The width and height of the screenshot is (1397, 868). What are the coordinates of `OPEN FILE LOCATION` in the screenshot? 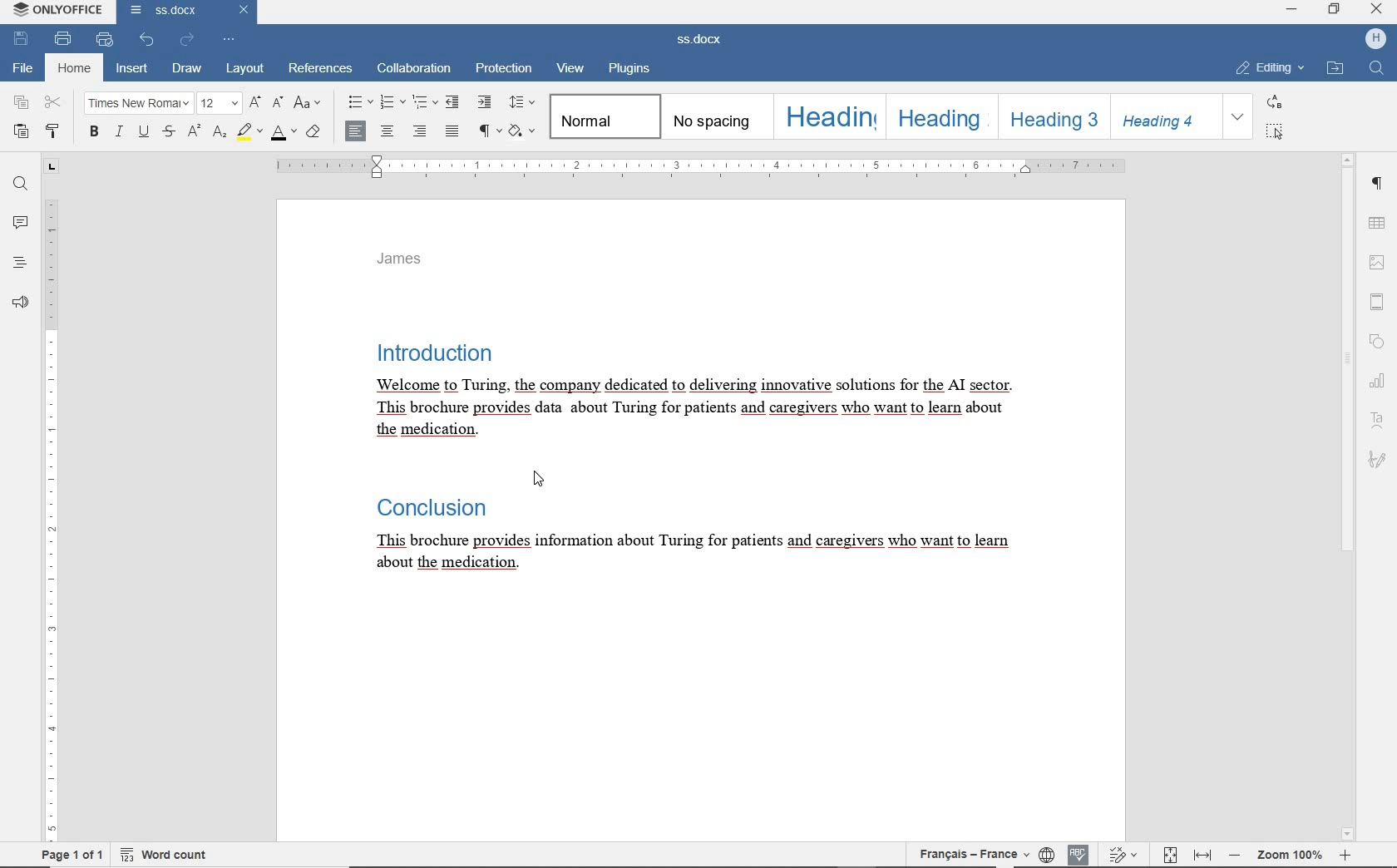 It's located at (1335, 67).